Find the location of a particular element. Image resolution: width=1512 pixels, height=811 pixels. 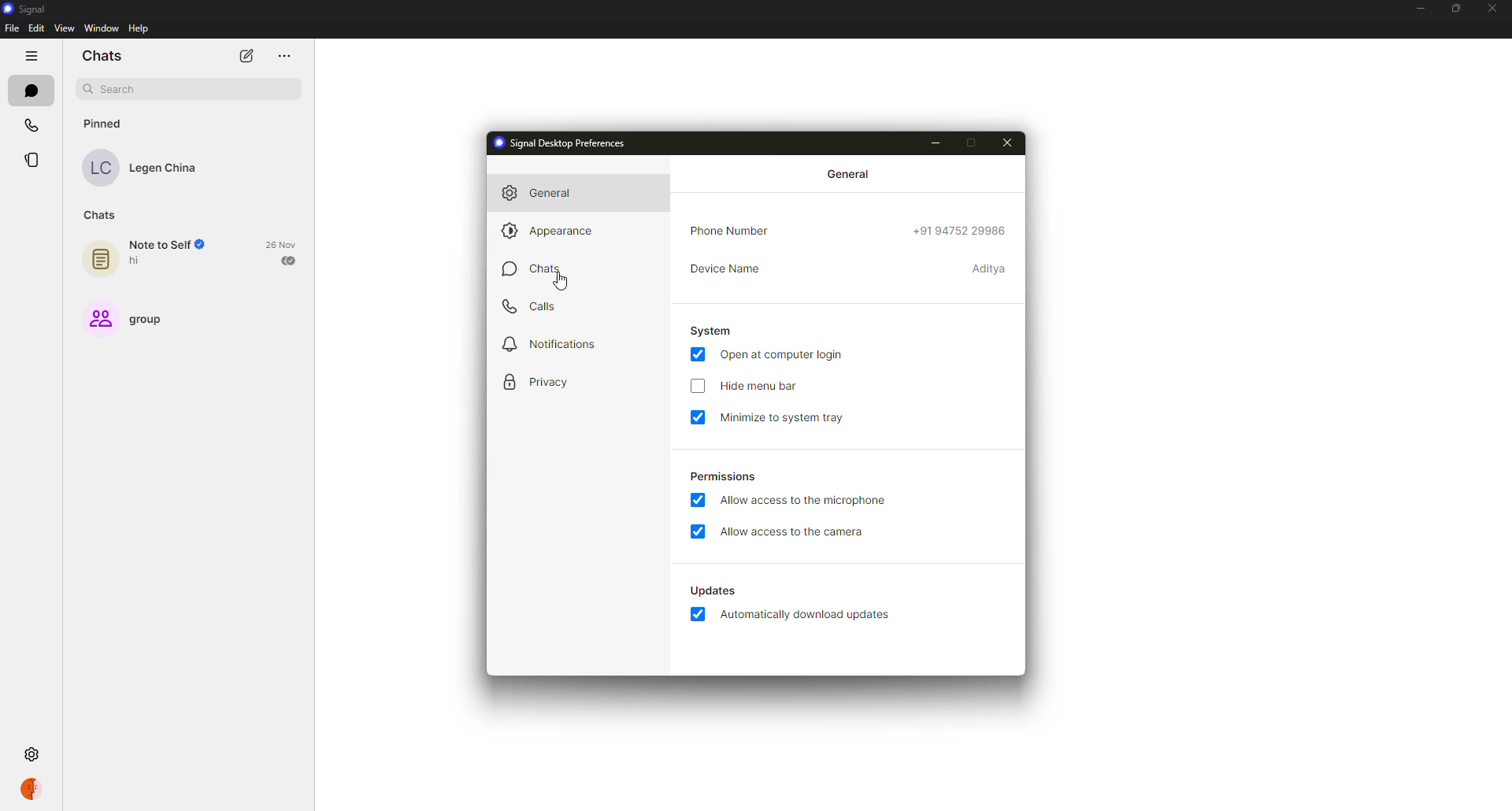

profile is located at coordinates (33, 789).